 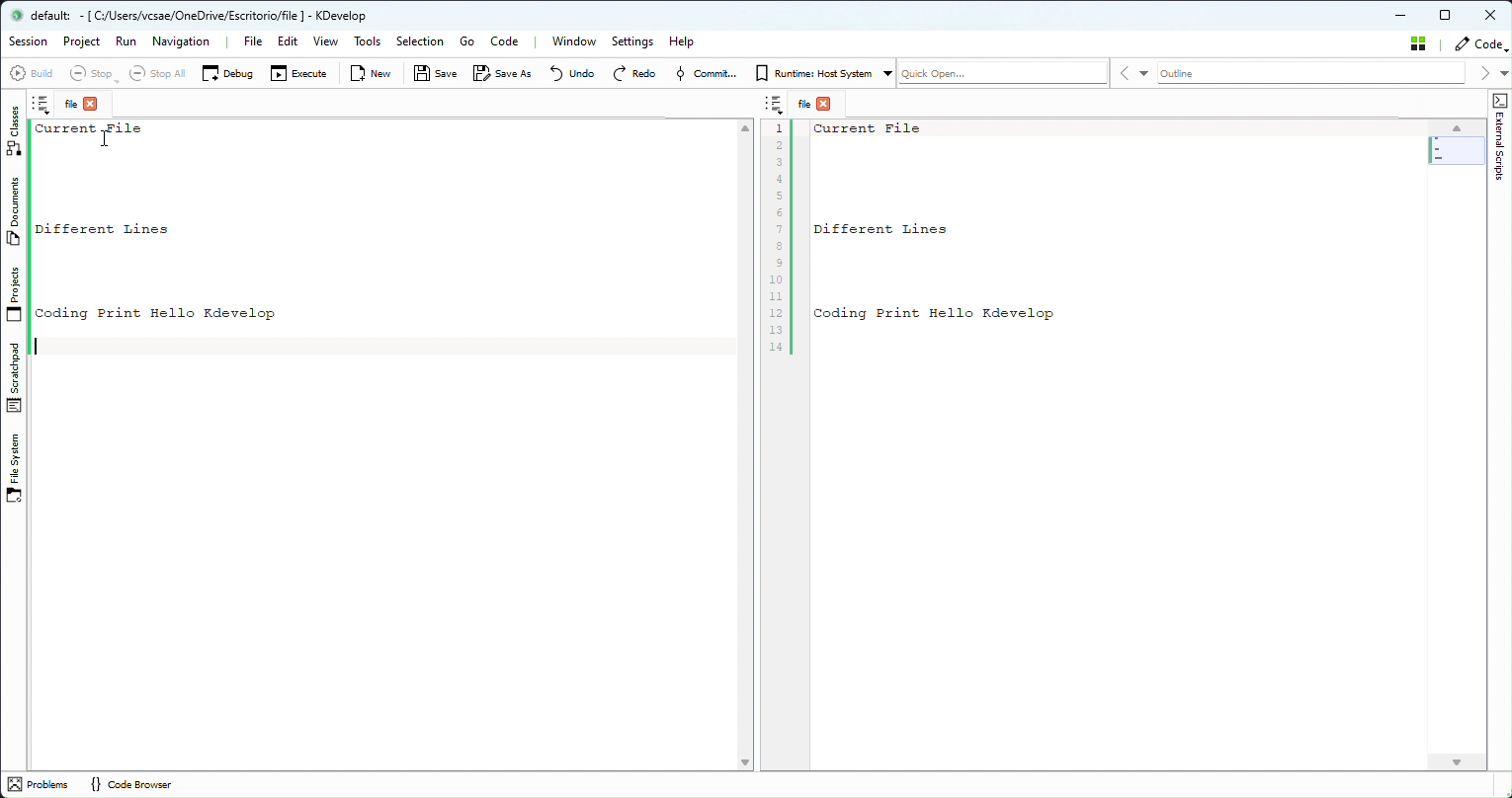 I want to click on minimize, so click(x=1400, y=14).